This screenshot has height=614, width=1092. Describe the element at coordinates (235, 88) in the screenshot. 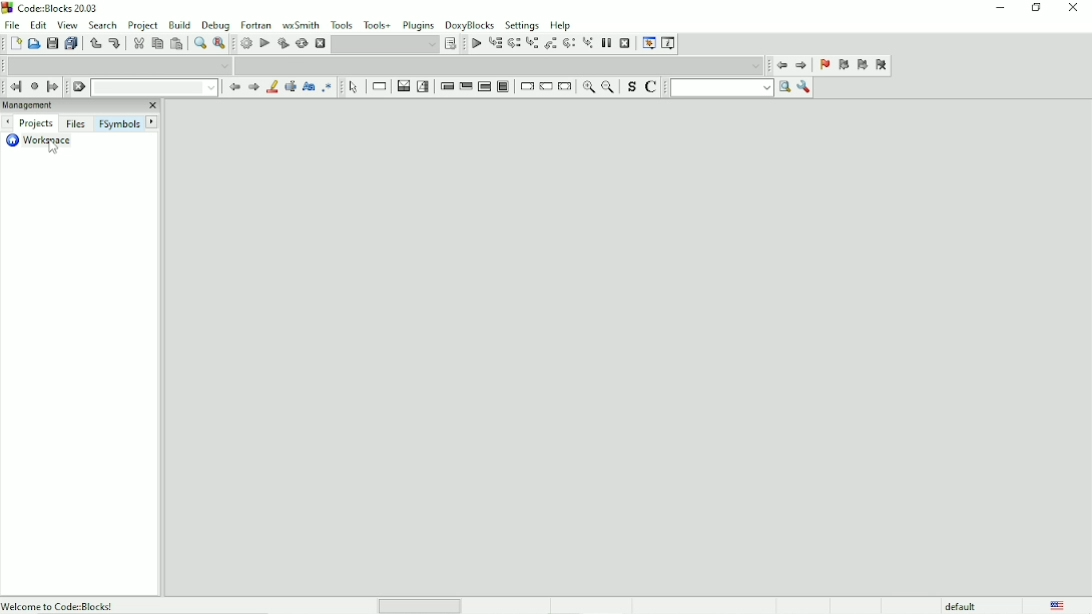

I see `Prev` at that location.